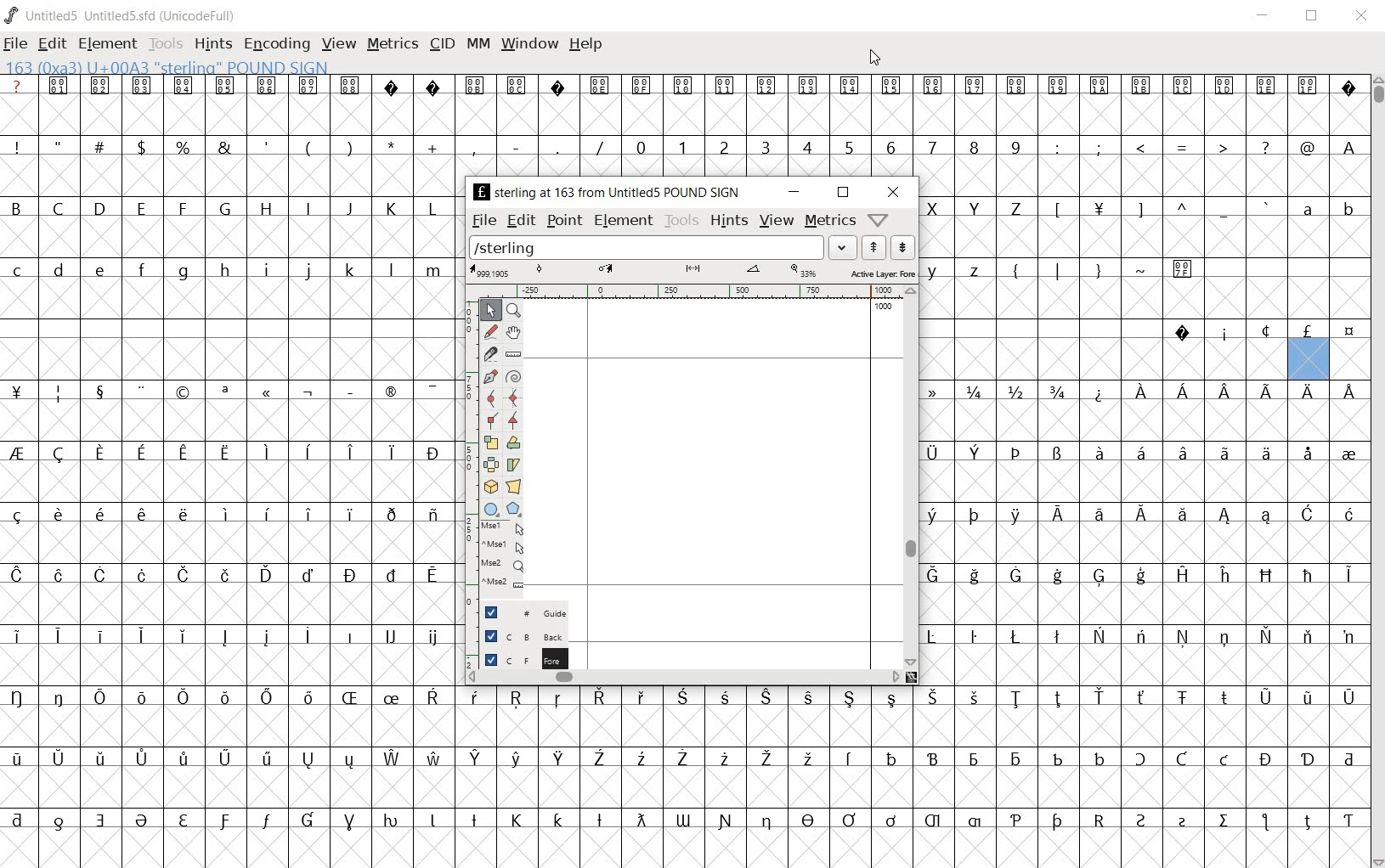  What do you see at coordinates (184, 392) in the screenshot?
I see `Symbol` at bounding box center [184, 392].